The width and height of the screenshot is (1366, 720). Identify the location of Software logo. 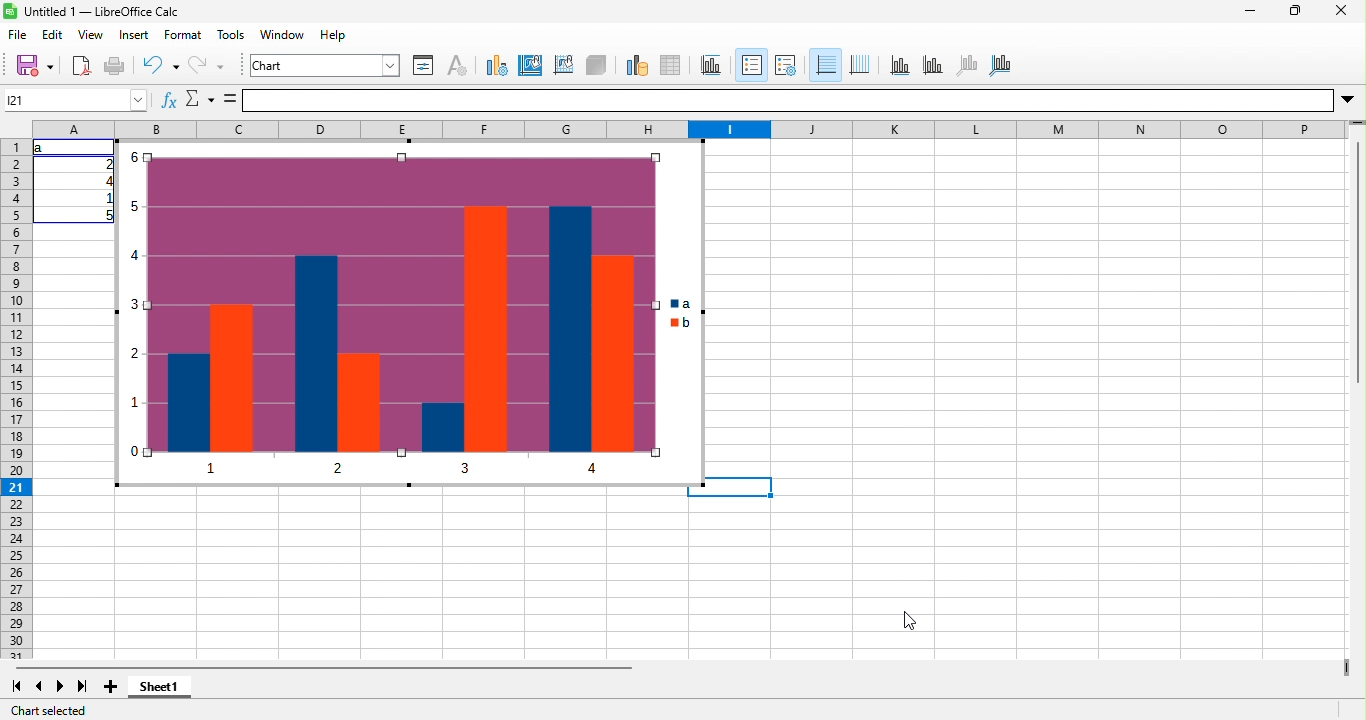
(10, 11).